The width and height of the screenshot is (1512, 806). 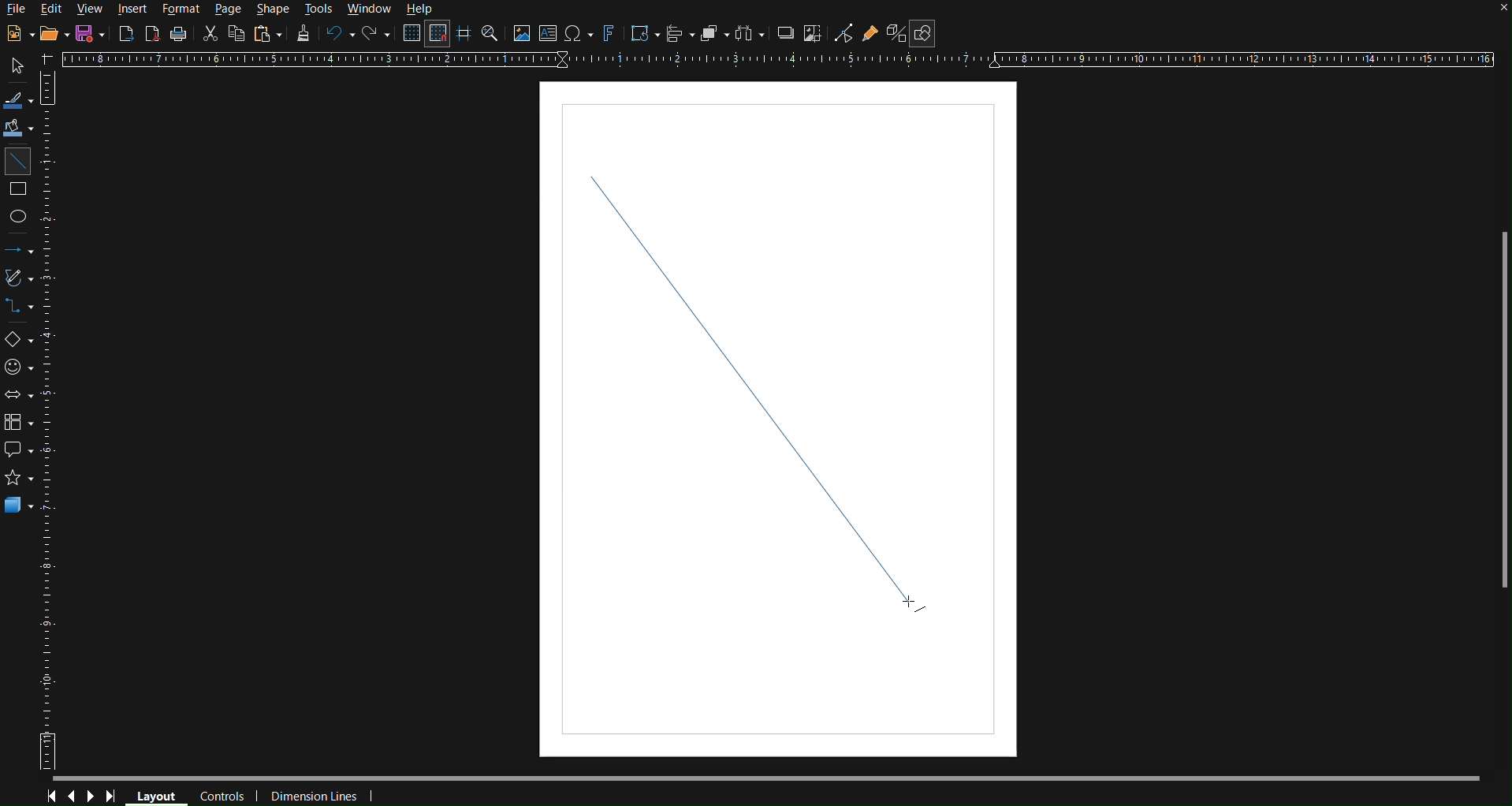 I want to click on Ellipse, so click(x=19, y=215).